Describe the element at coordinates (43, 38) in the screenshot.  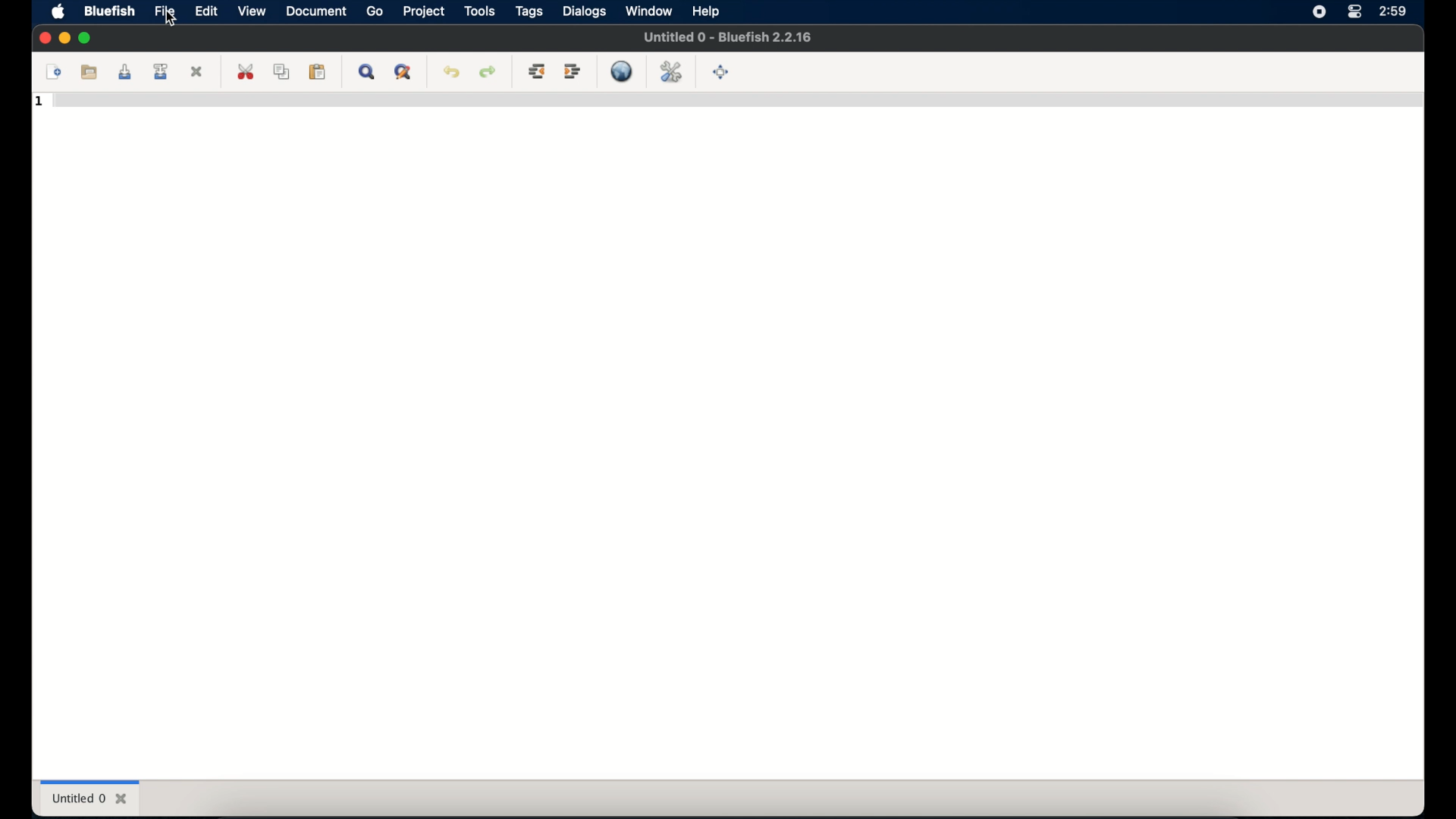
I see `close` at that location.